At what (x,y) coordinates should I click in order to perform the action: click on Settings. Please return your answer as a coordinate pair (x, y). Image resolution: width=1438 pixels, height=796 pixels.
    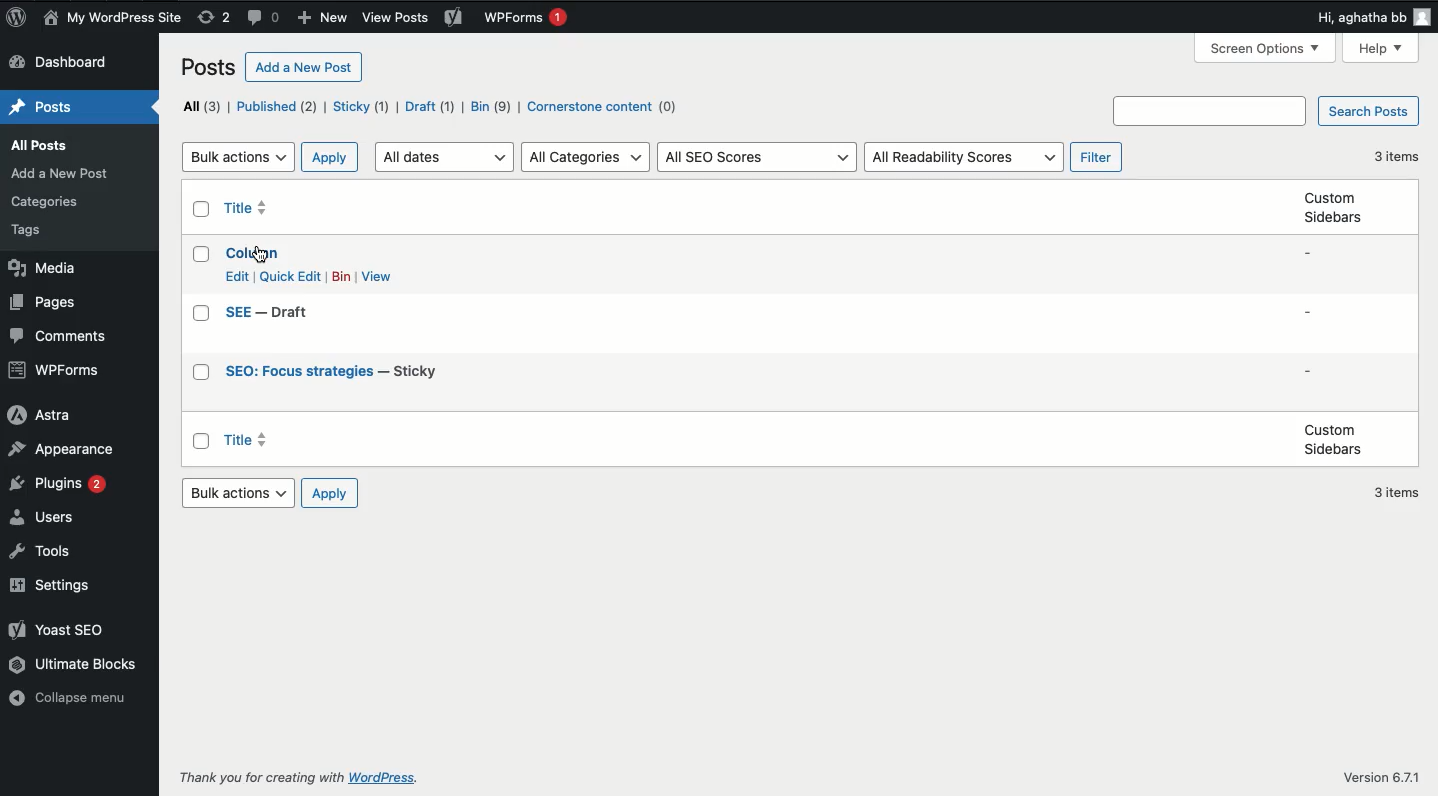
    Looking at the image, I should click on (56, 585).